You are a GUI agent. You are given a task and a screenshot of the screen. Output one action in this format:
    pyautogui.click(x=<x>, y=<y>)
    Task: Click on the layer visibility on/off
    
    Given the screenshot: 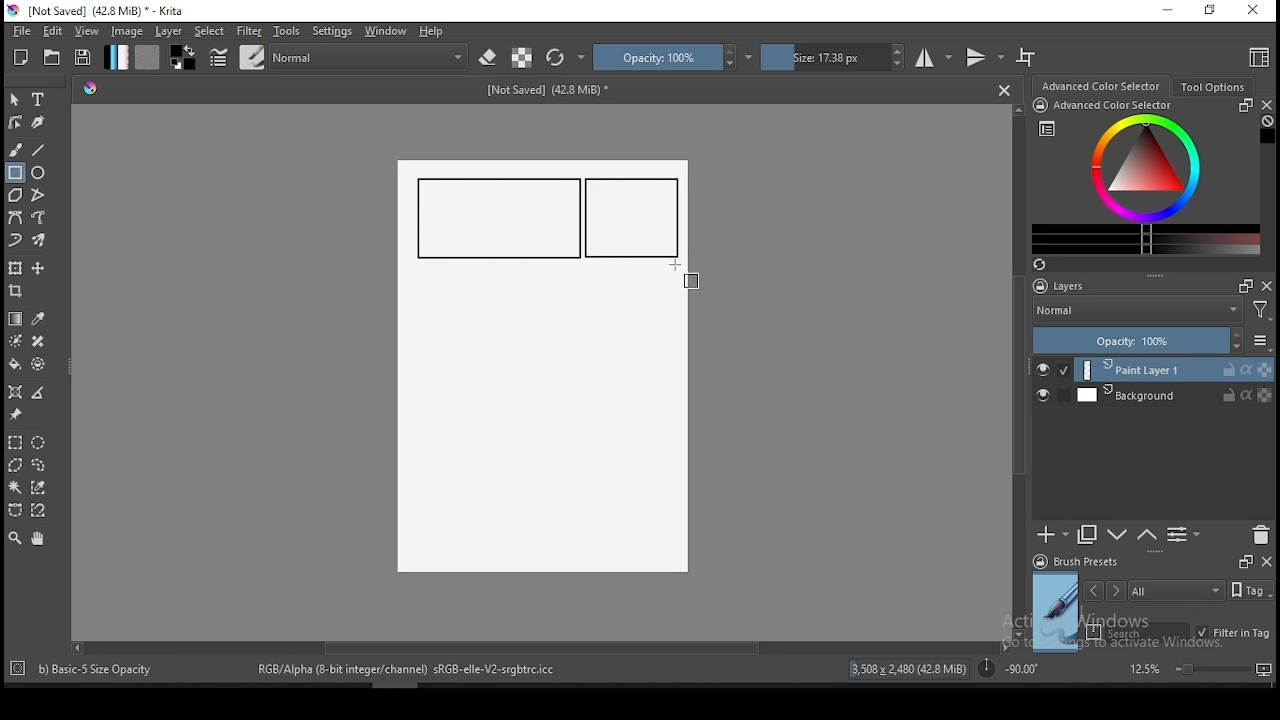 What is the action you would take?
    pyautogui.click(x=1053, y=370)
    